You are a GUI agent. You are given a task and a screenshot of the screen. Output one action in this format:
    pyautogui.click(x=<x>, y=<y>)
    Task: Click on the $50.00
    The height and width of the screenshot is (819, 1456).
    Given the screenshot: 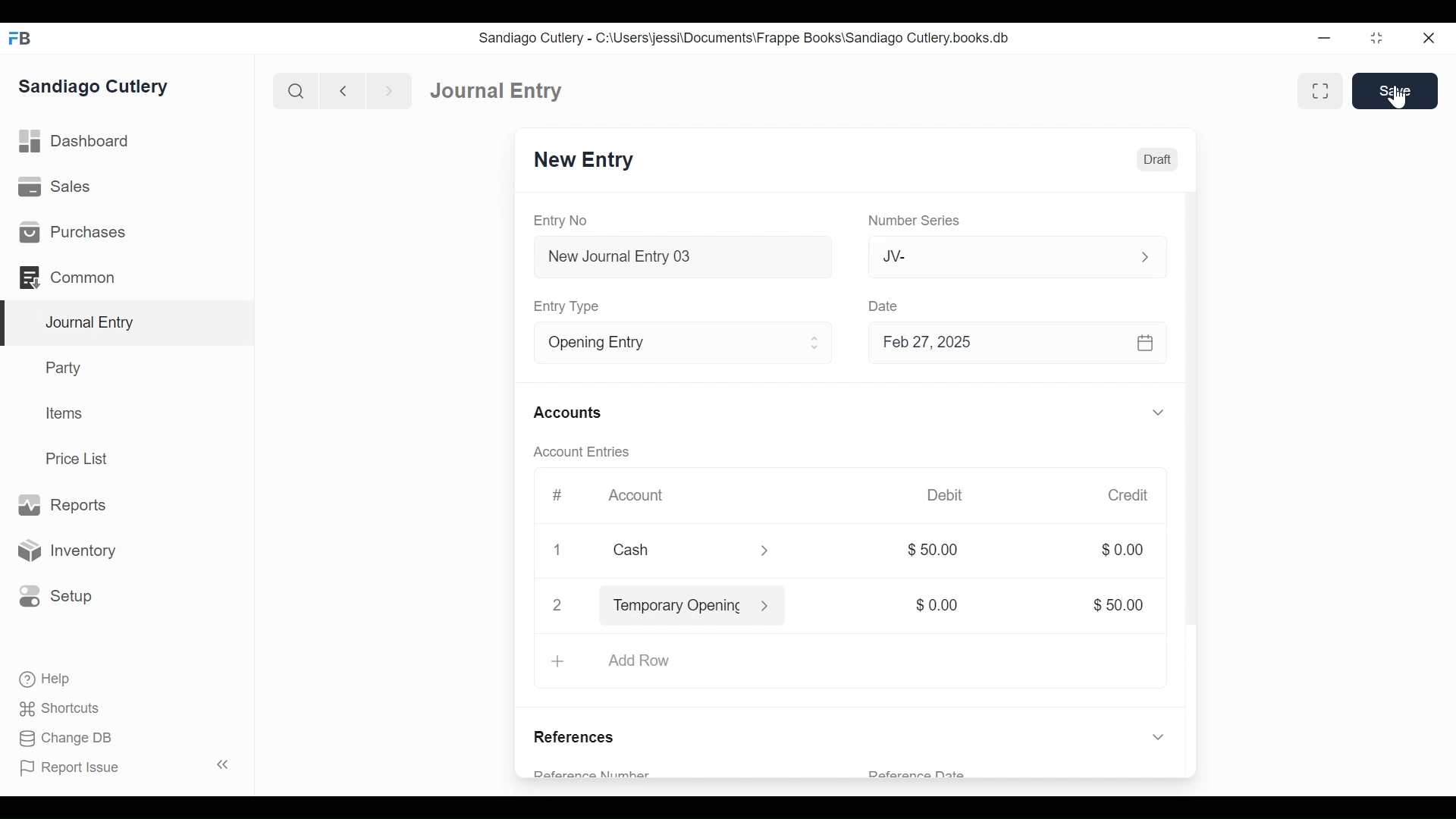 What is the action you would take?
    pyautogui.click(x=1122, y=605)
    